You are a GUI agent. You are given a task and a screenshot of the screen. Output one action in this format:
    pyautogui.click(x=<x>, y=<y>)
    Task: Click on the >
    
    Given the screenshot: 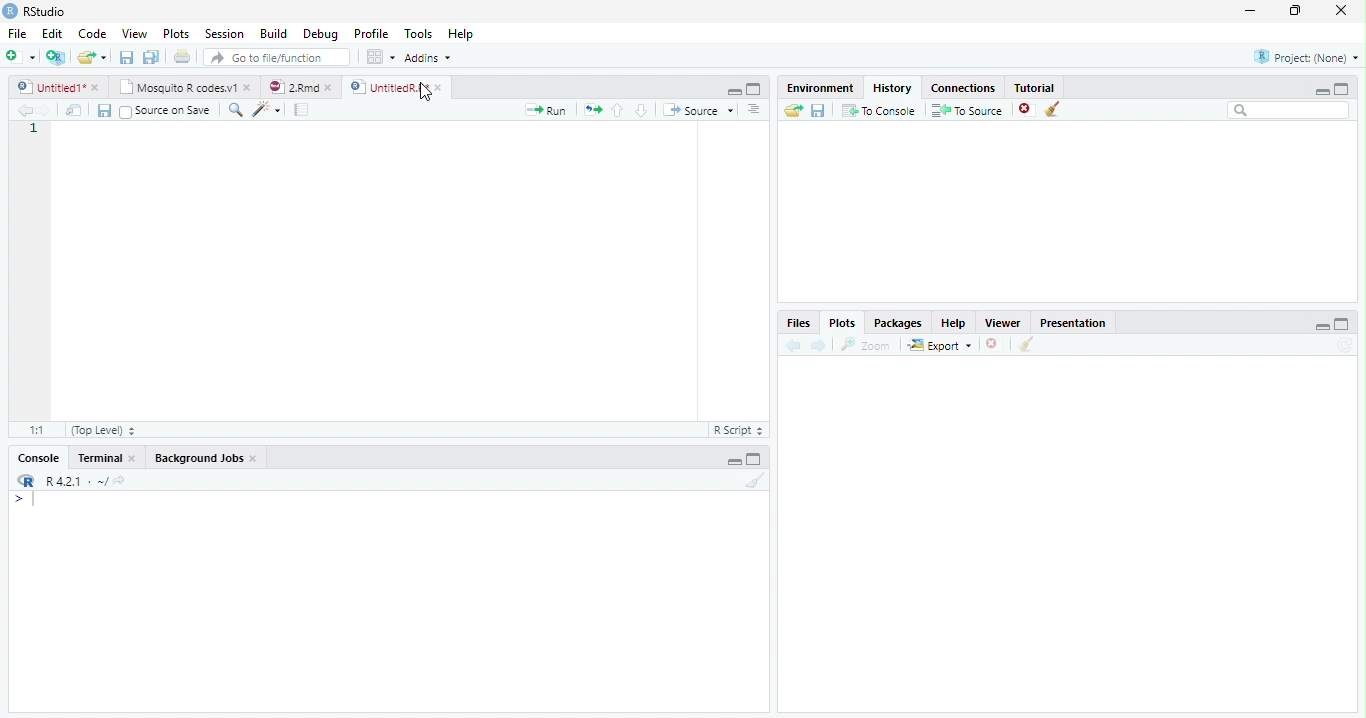 What is the action you would take?
    pyautogui.click(x=14, y=500)
    